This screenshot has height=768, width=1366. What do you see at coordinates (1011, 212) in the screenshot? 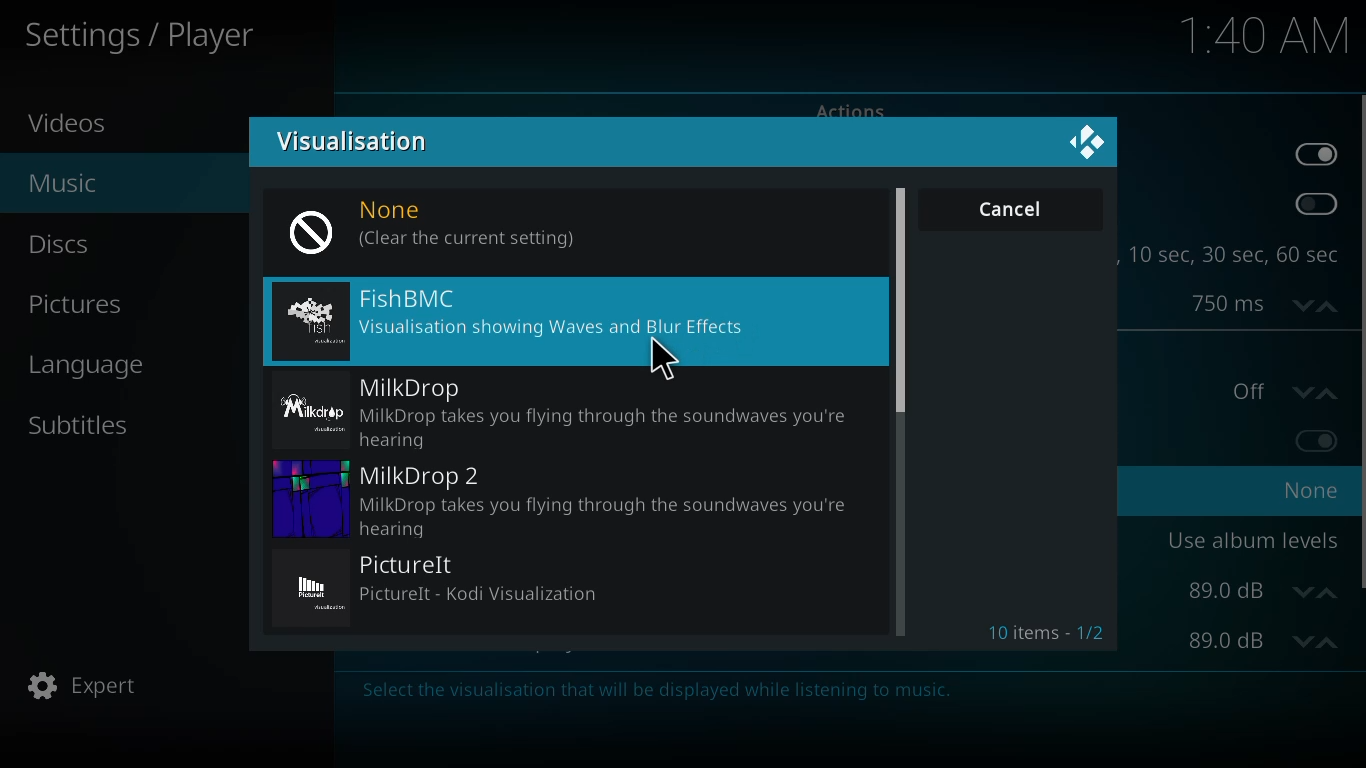
I see `Cancel` at bounding box center [1011, 212].